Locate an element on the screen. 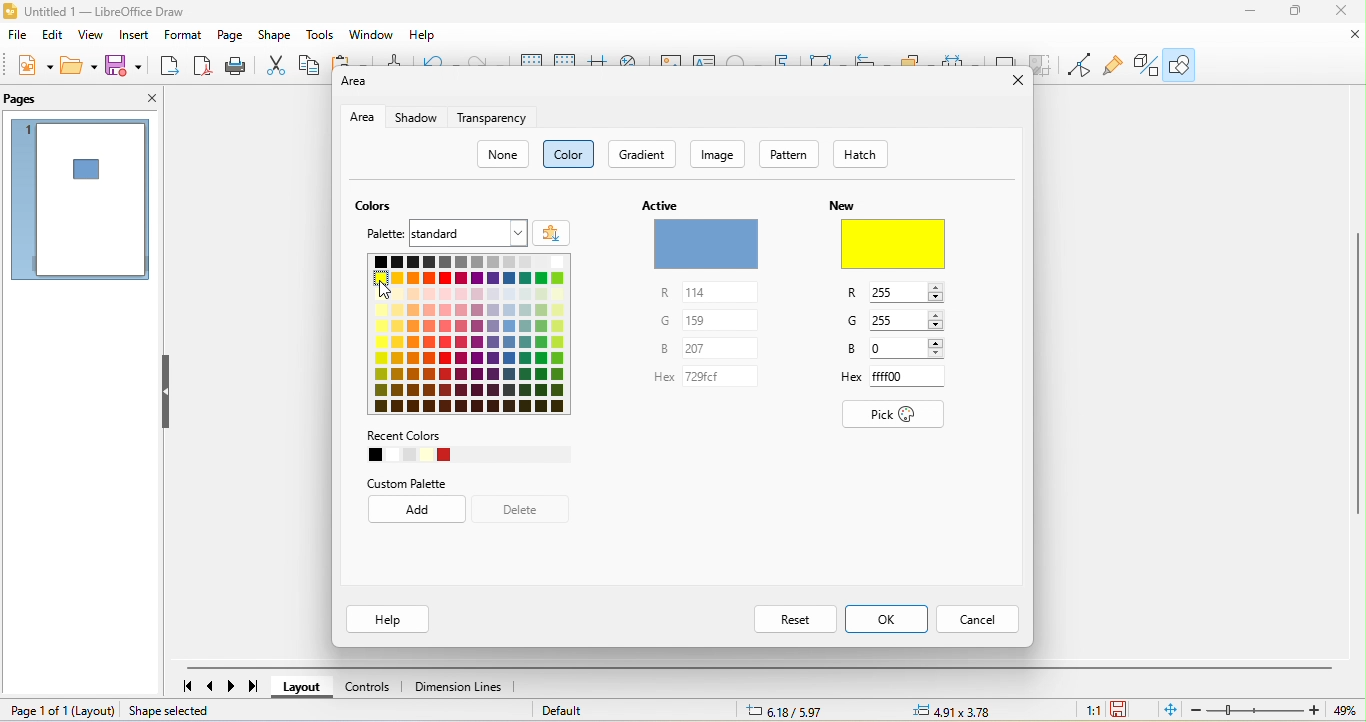 This screenshot has height=722, width=1366. dimension lines is located at coordinates (466, 685).